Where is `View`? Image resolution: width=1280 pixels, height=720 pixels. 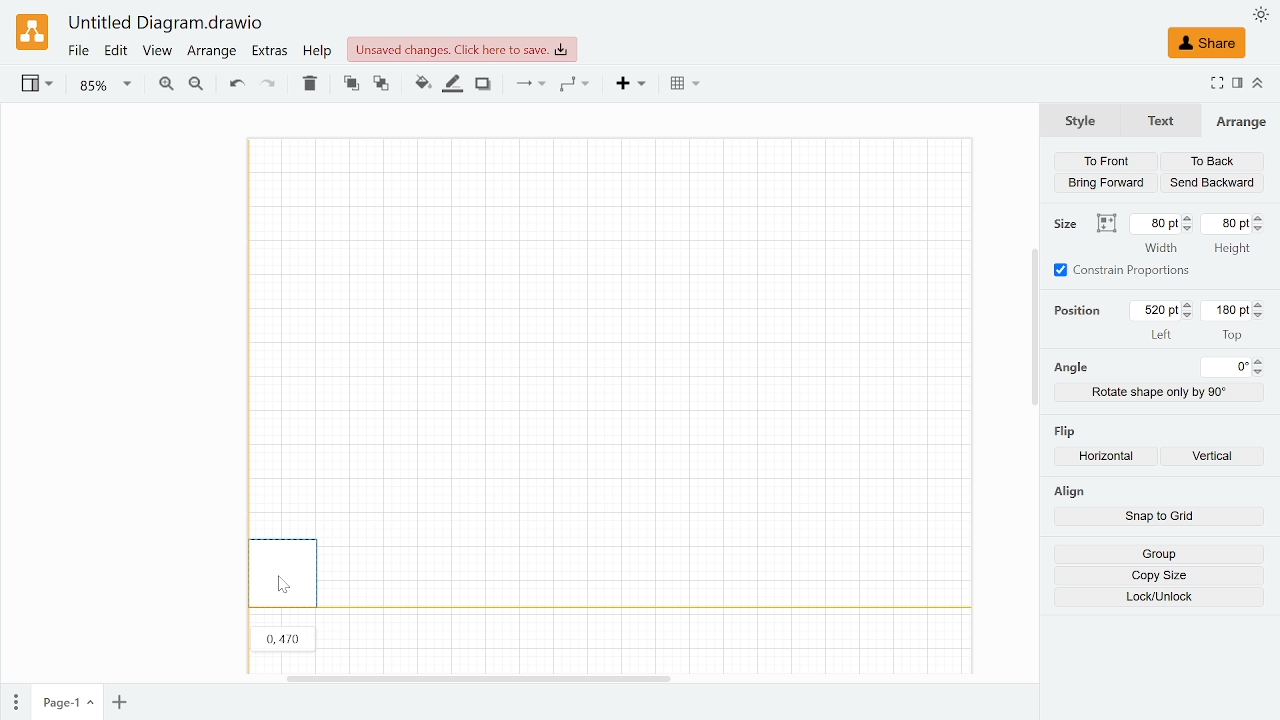
View is located at coordinates (156, 52).